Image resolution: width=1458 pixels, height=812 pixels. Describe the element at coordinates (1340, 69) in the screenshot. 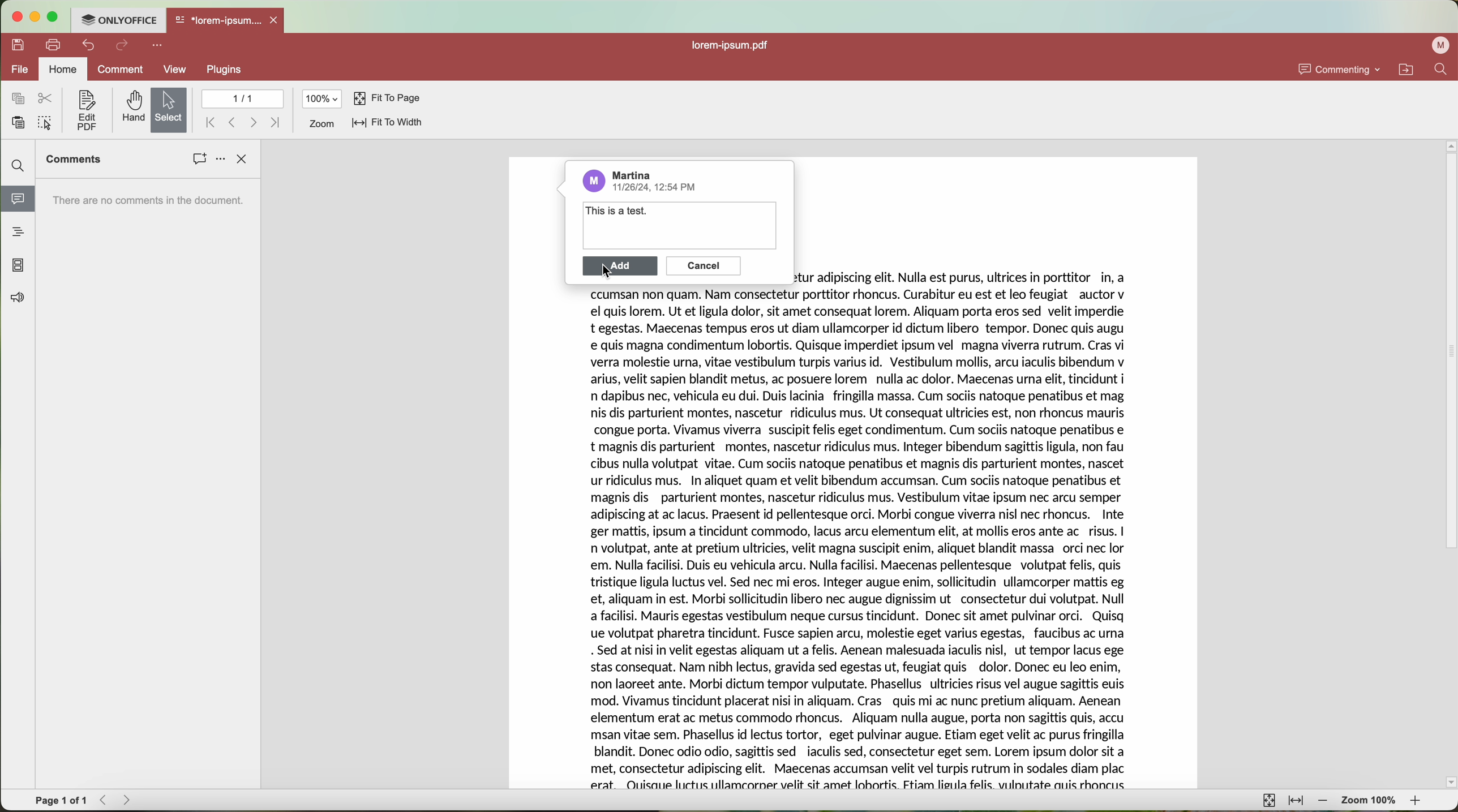

I see `commenting` at that location.